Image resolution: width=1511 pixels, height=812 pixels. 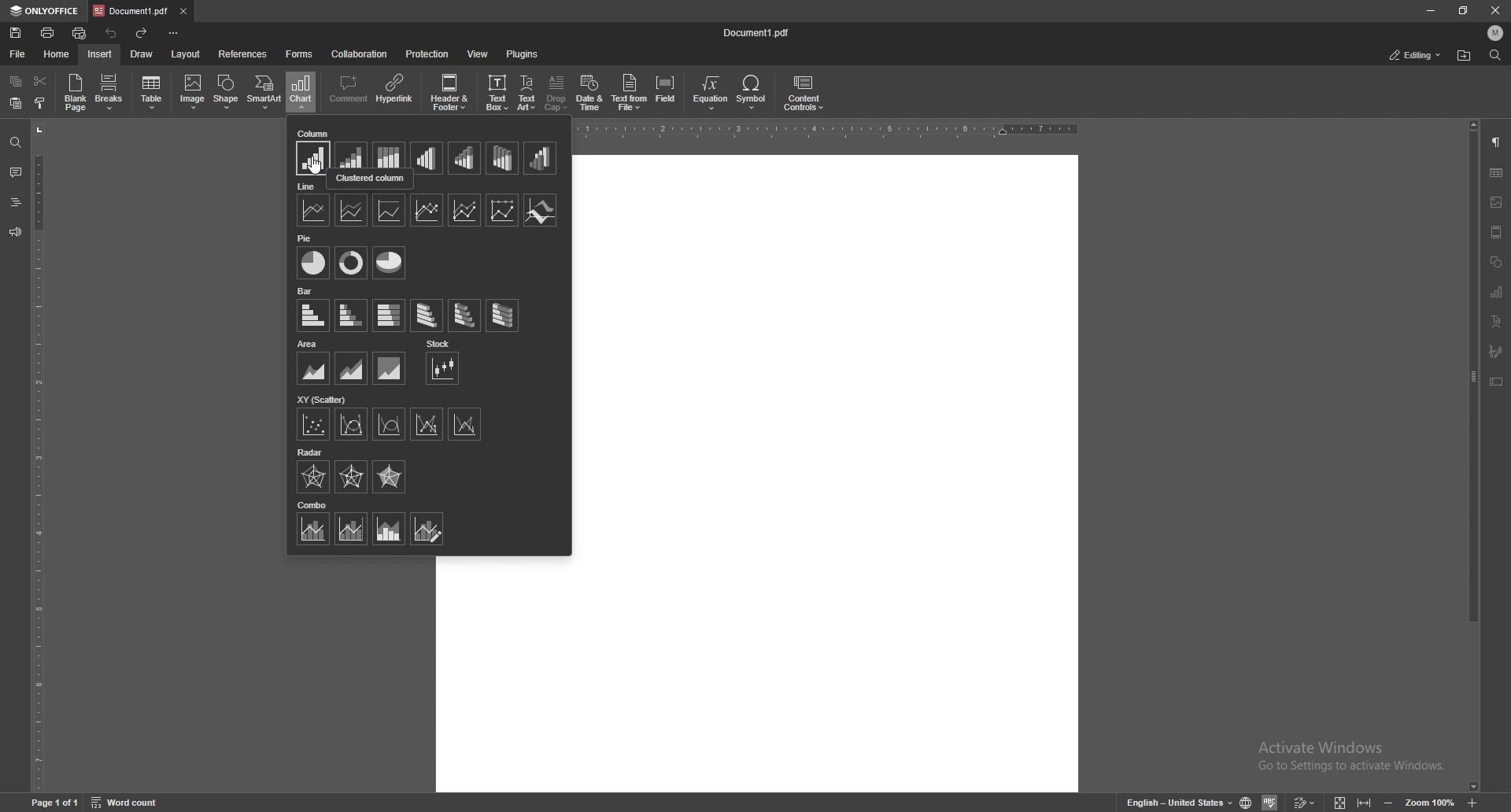 I want to click on Edit, so click(x=1306, y=803).